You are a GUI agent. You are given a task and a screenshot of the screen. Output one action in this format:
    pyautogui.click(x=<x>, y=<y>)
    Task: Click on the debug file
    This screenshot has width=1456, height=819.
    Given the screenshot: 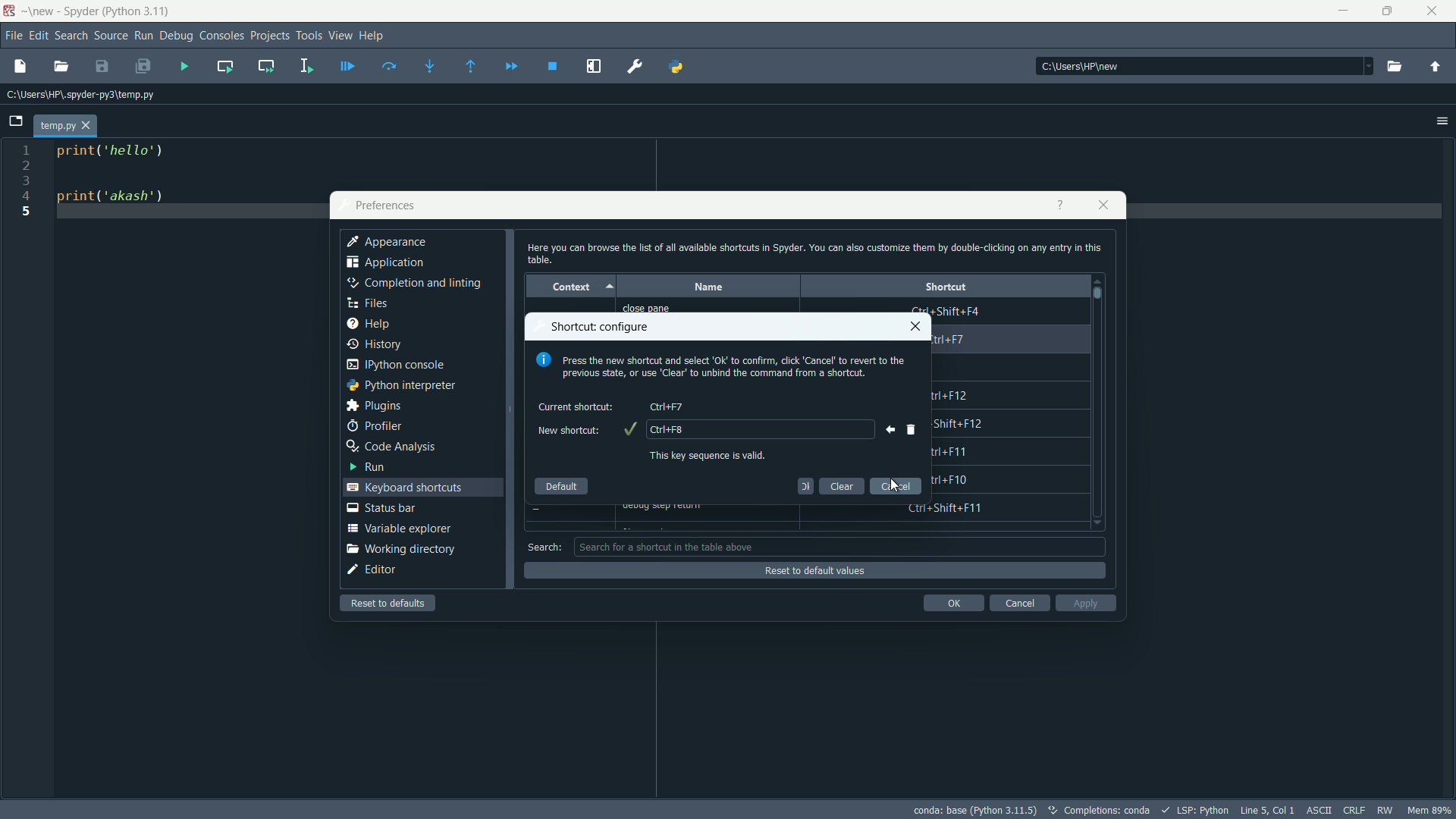 What is the action you would take?
    pyautogui.click(x=347, y=67)
    